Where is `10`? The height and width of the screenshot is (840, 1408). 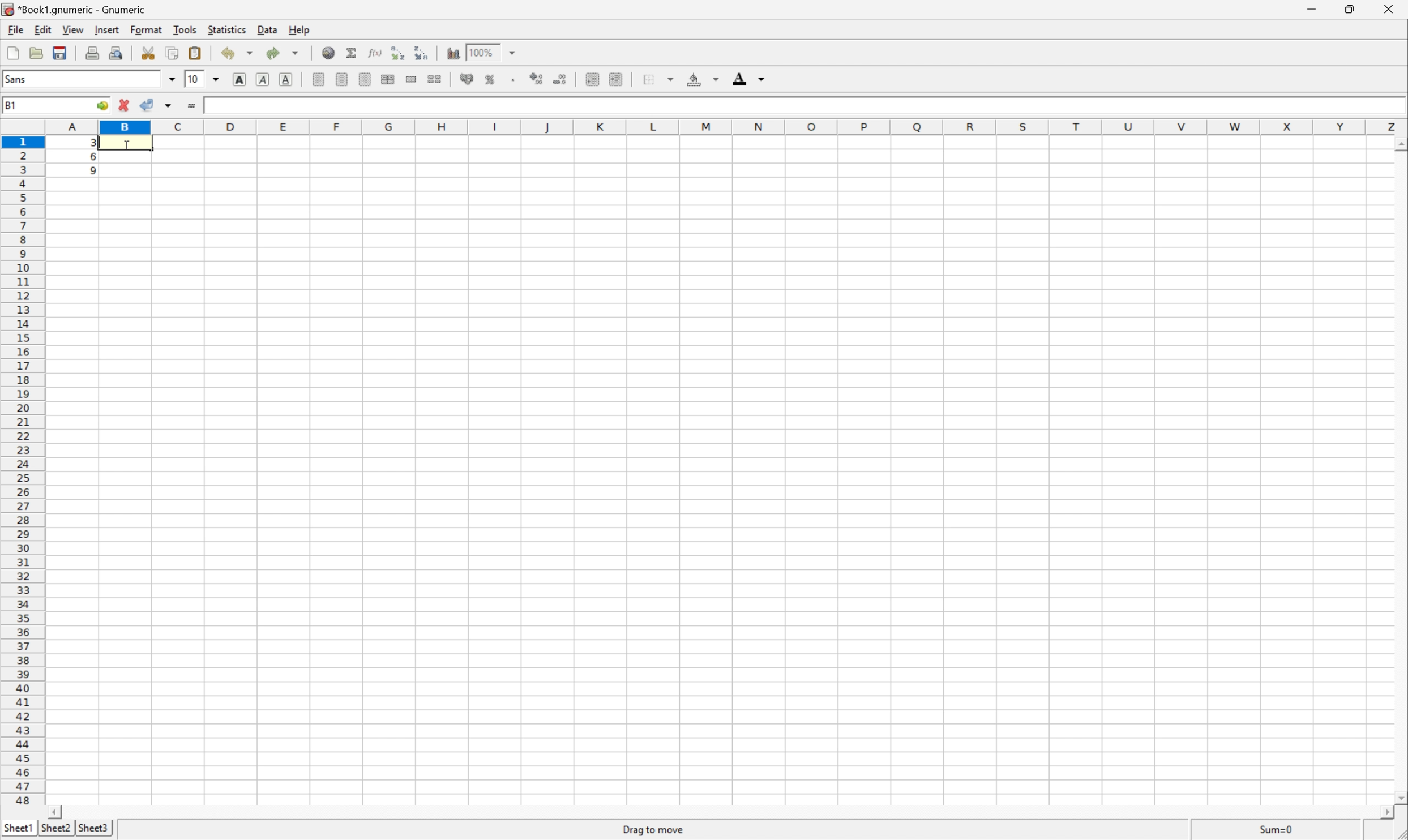
10 is located at coordinates (194, 80).